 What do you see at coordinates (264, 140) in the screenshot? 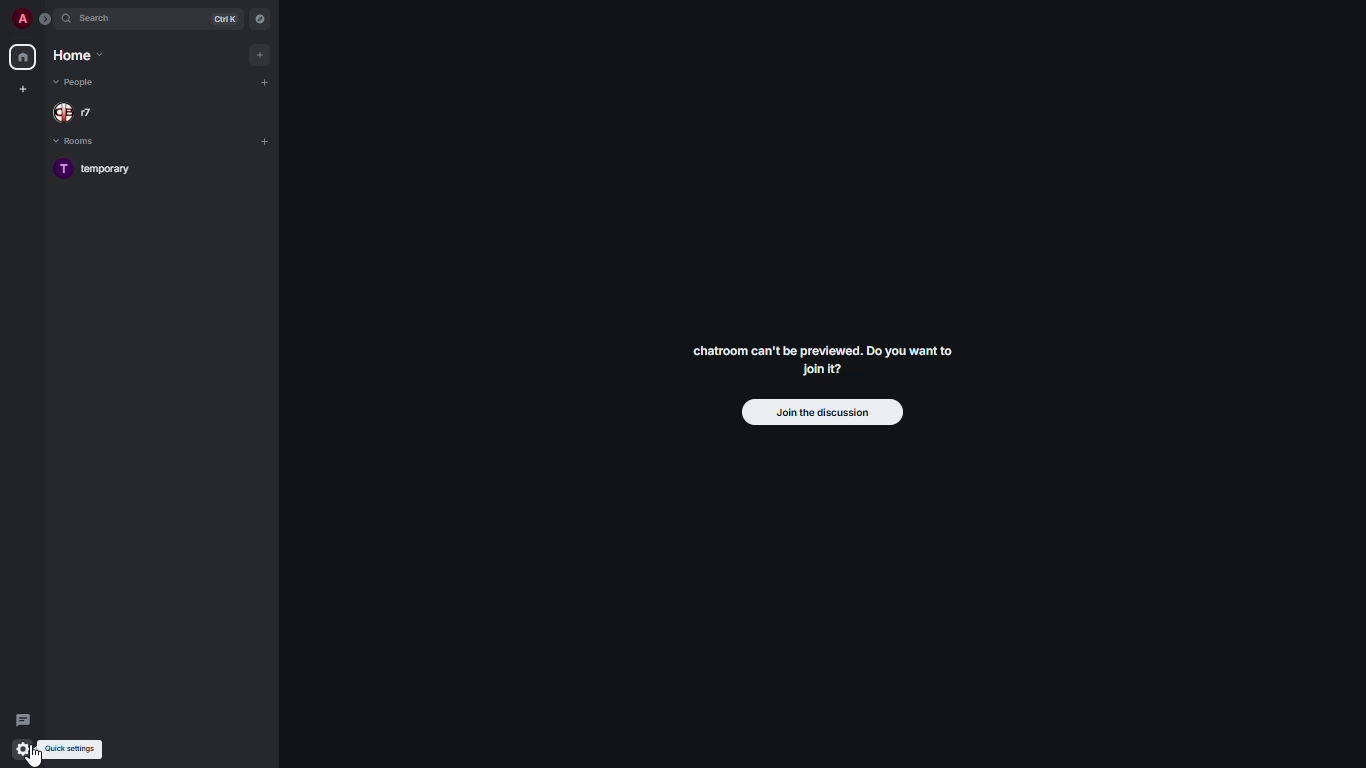
I see `add` at bounding box center [264, 140].